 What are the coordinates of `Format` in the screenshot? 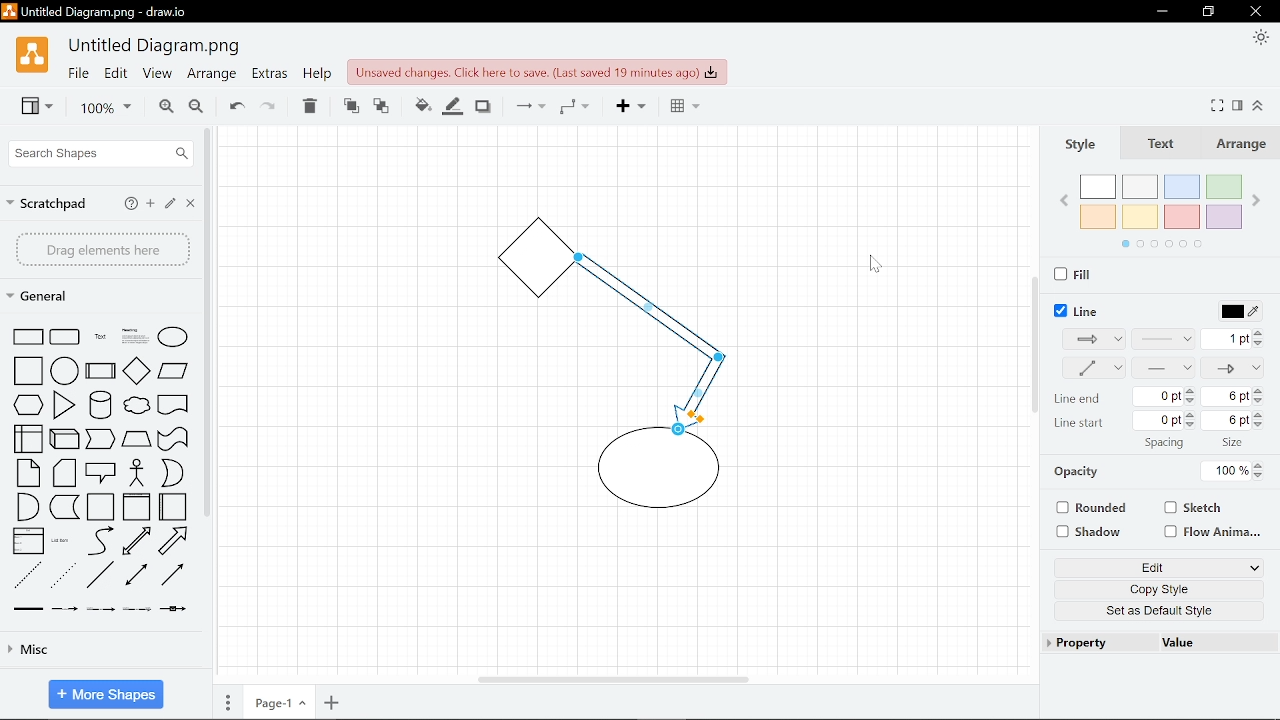 It's located at (1240, 105).